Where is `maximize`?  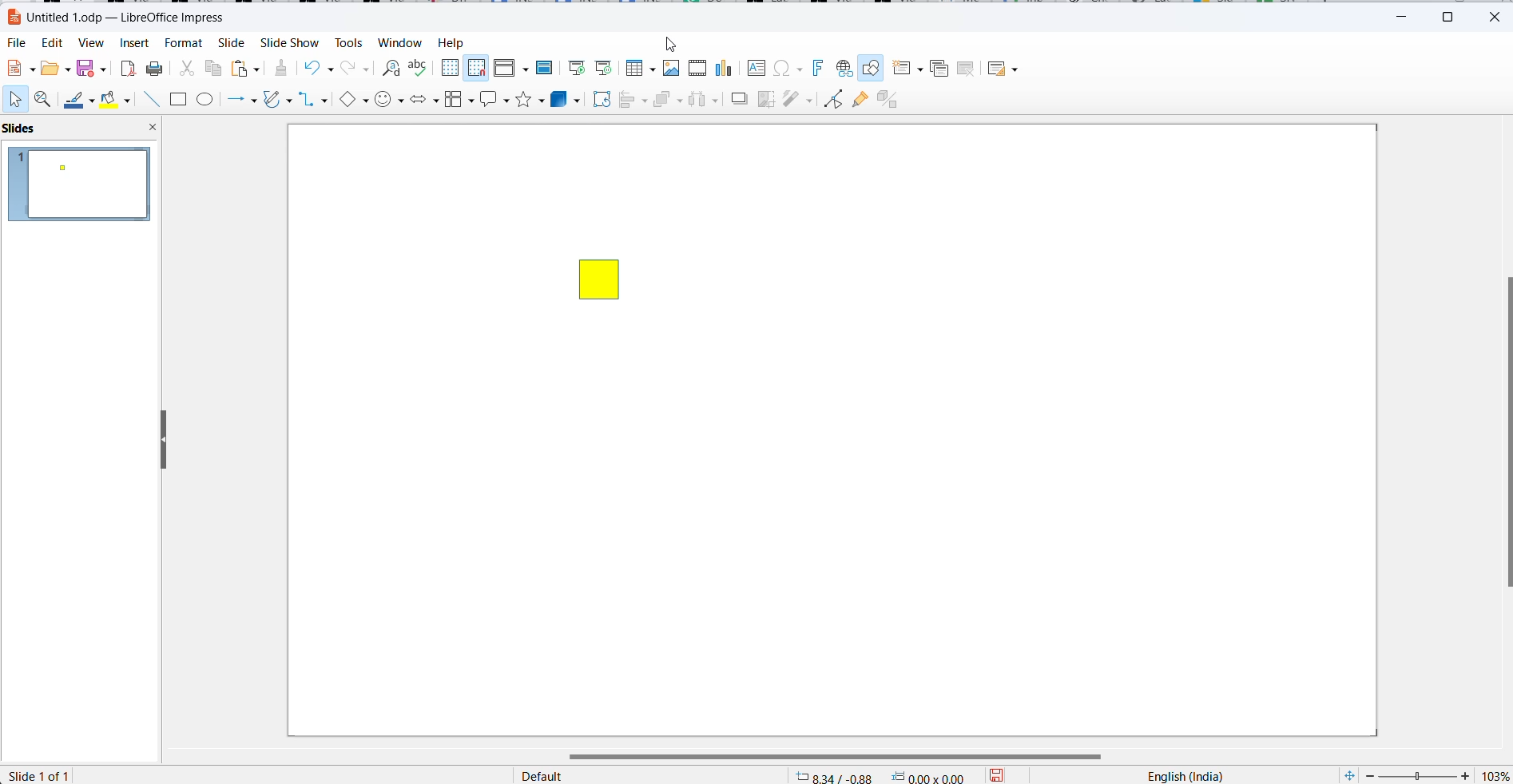
maximize is located at coordinates (1453, 15).